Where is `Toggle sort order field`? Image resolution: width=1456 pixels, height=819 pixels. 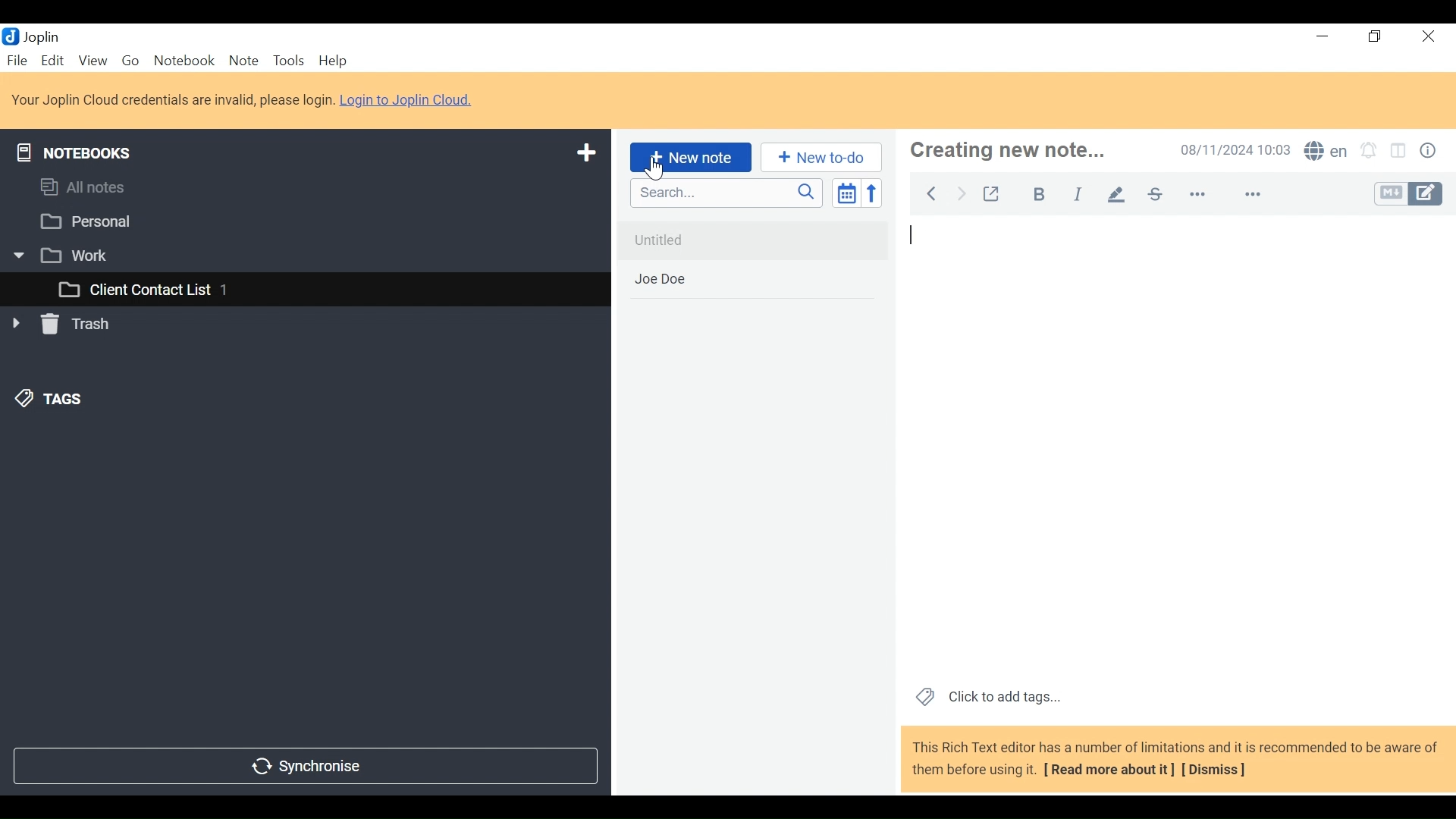 Toggle sort order field is located at coordinates (846, 192).